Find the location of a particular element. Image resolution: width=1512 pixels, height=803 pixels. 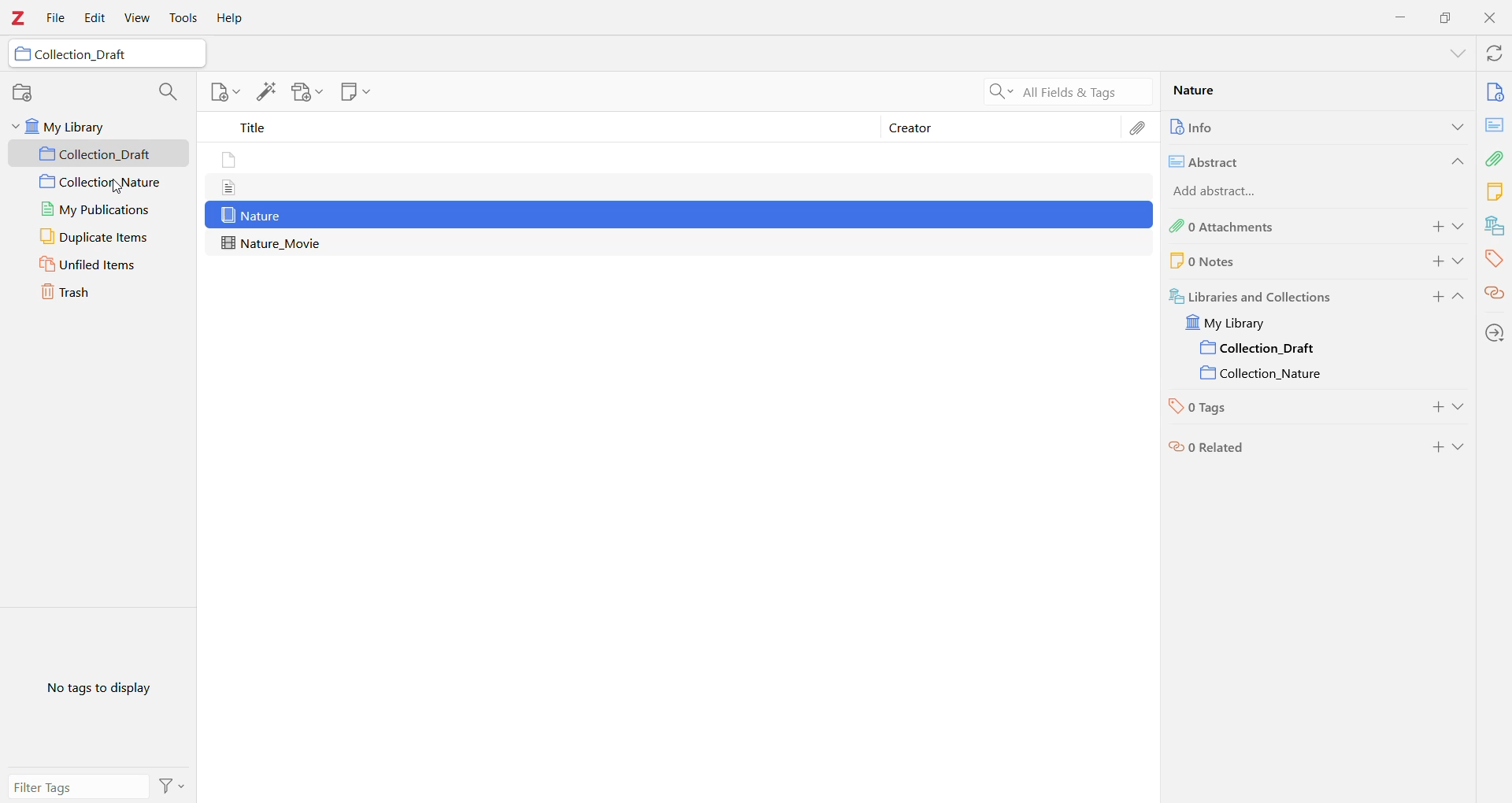

Add Attachment is located at coordinates (303, 92).